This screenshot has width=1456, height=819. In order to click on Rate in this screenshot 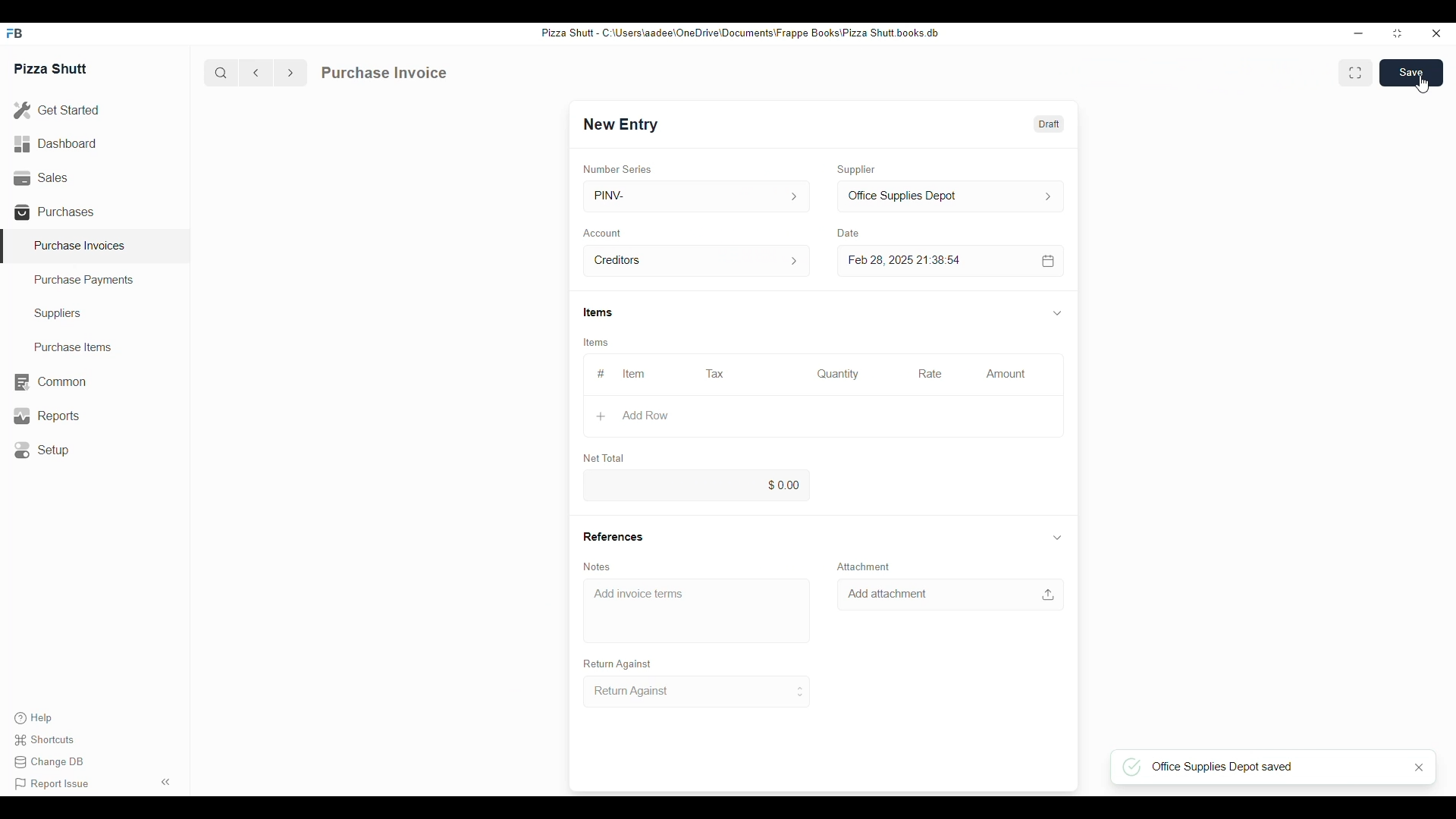, I will do `click(929, 372)`.